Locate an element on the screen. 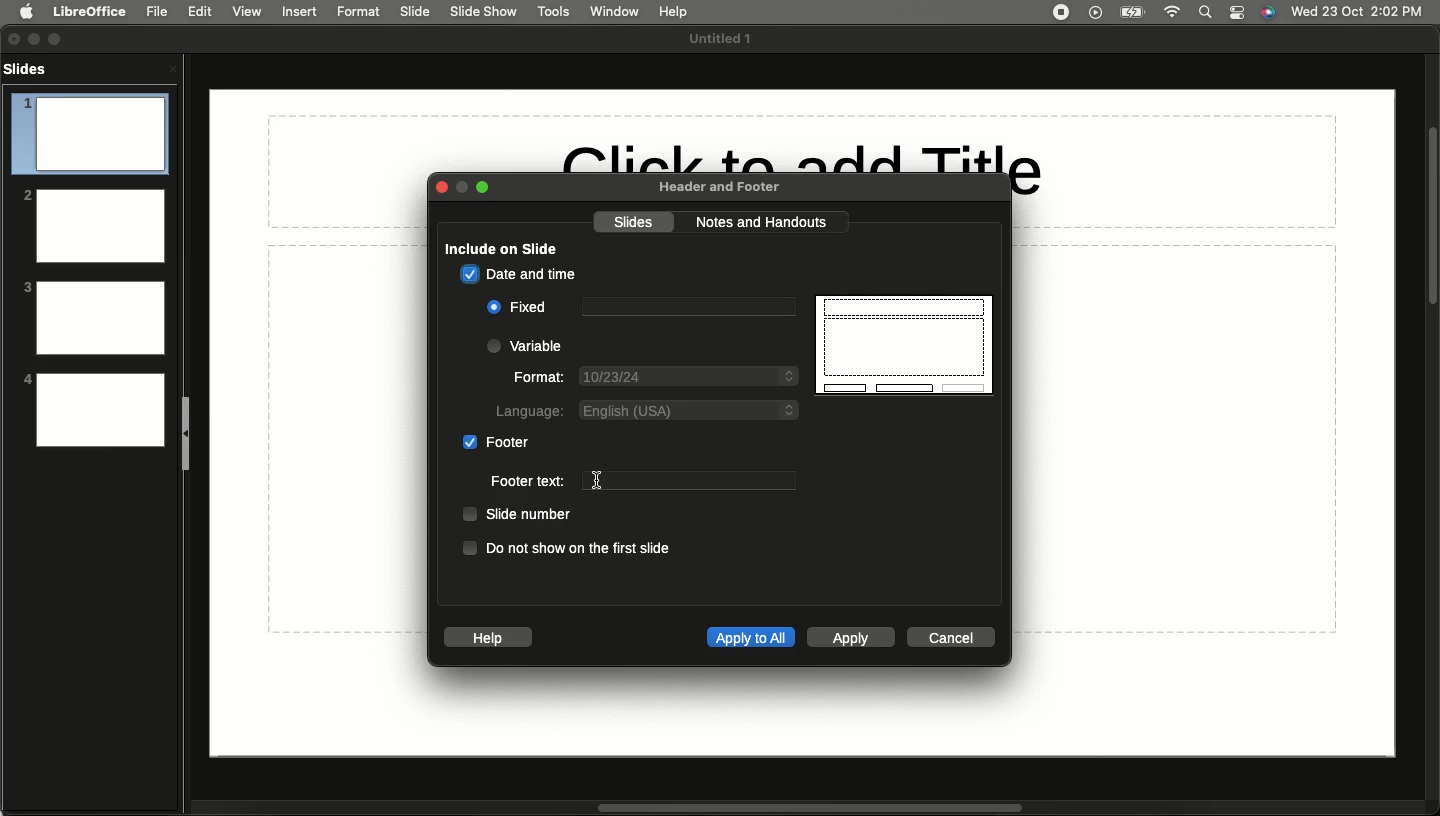 The image size is (1440, 816). Do not show on the first slide is located at coordinates (566, 548).